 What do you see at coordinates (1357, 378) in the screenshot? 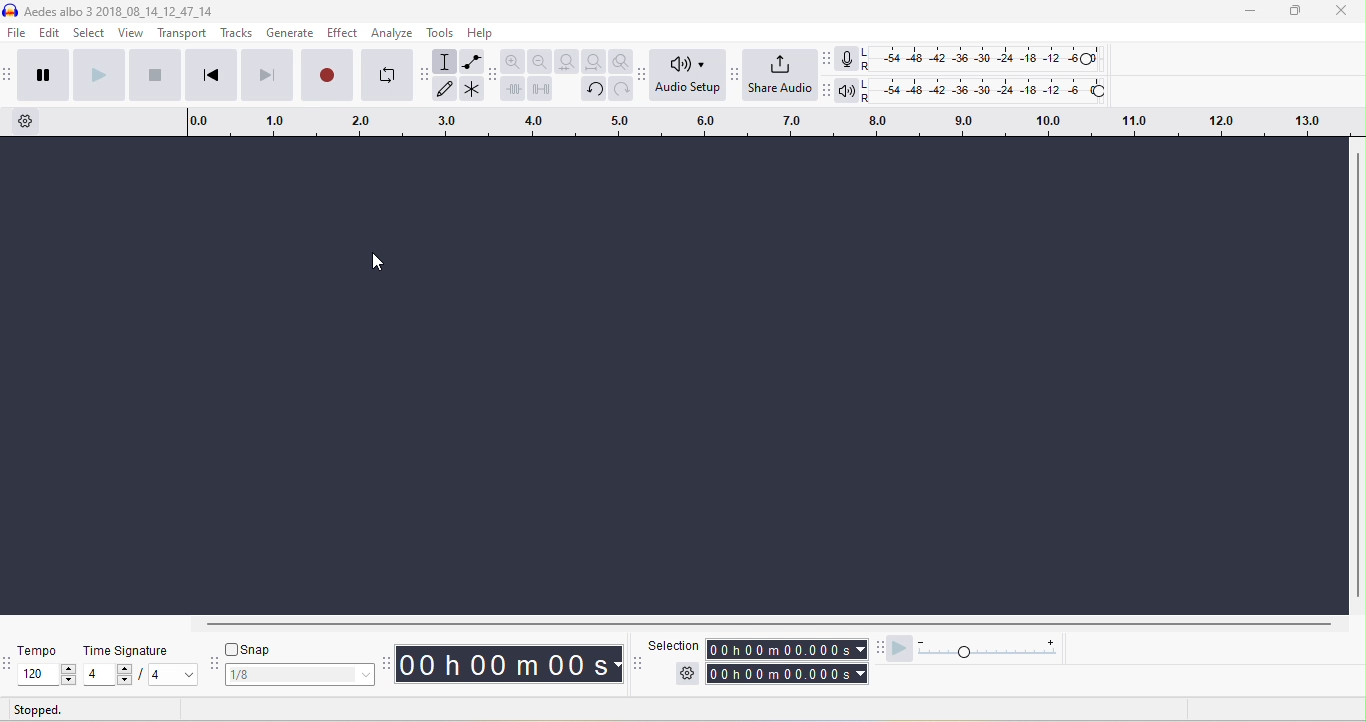
I see `vertical scroll bar` at bounding box center [1357, 378].